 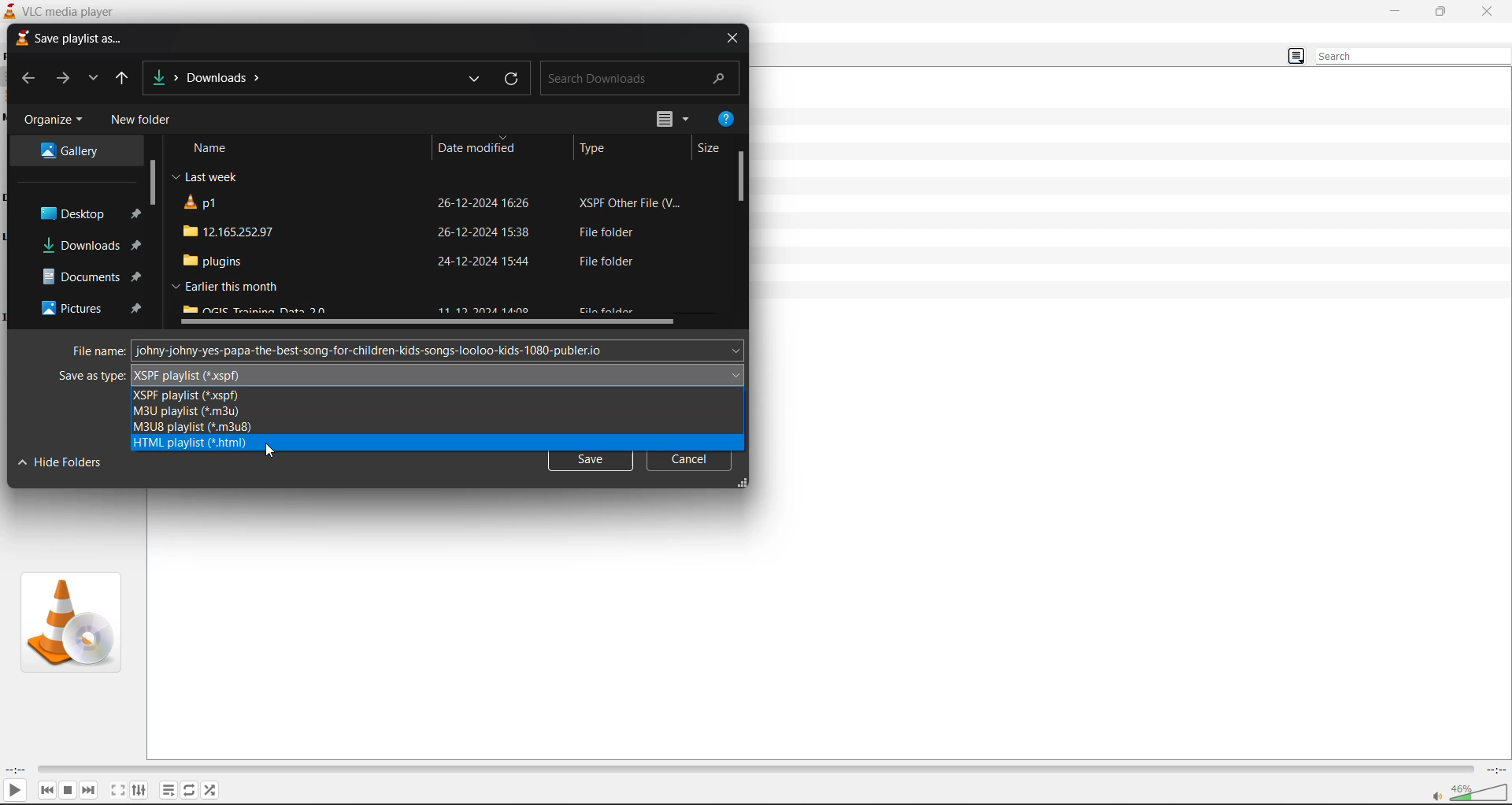 I want to click on downloads, so click(x=91, y=246).